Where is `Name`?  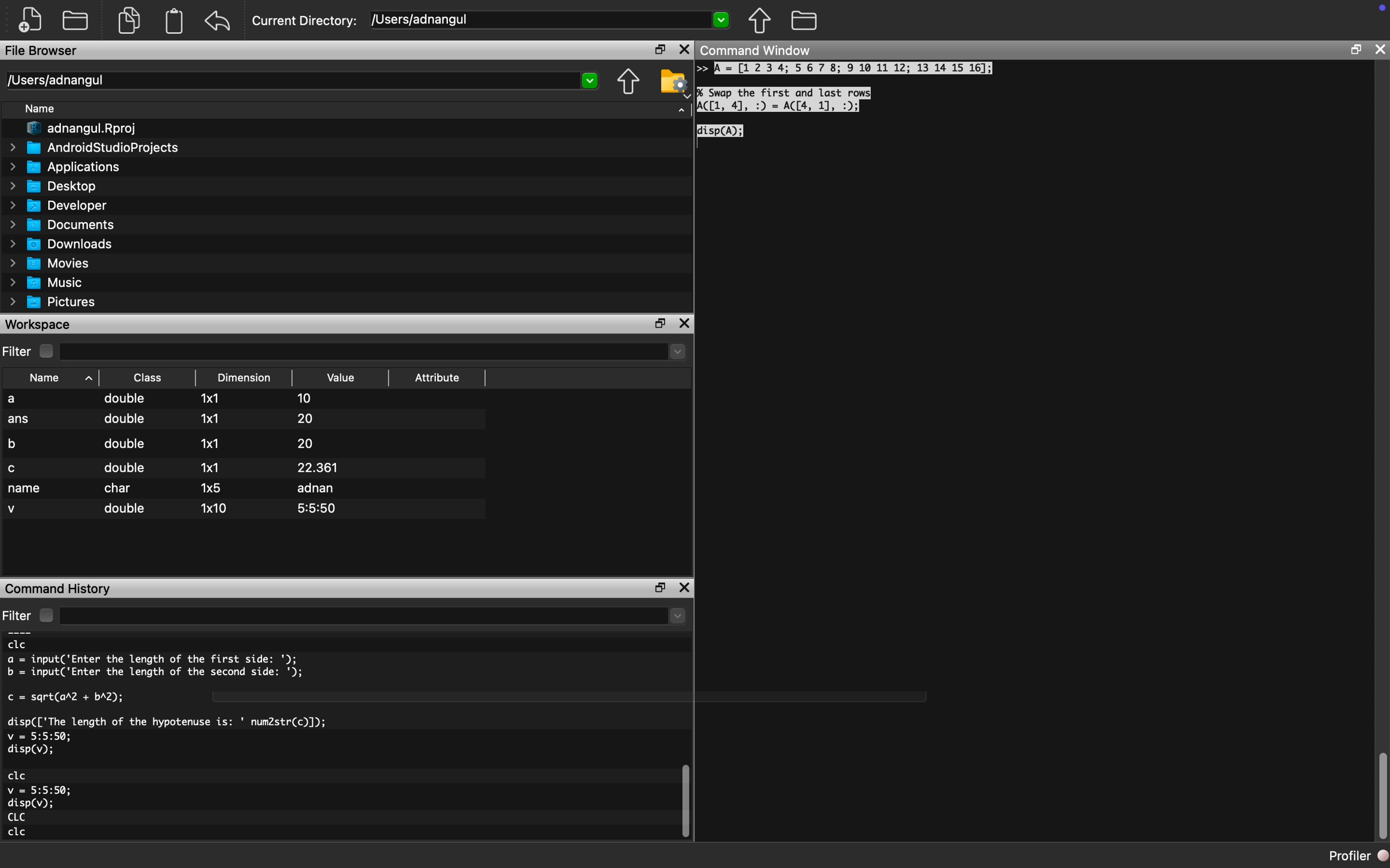
Name is located at coordinates (43, 108).